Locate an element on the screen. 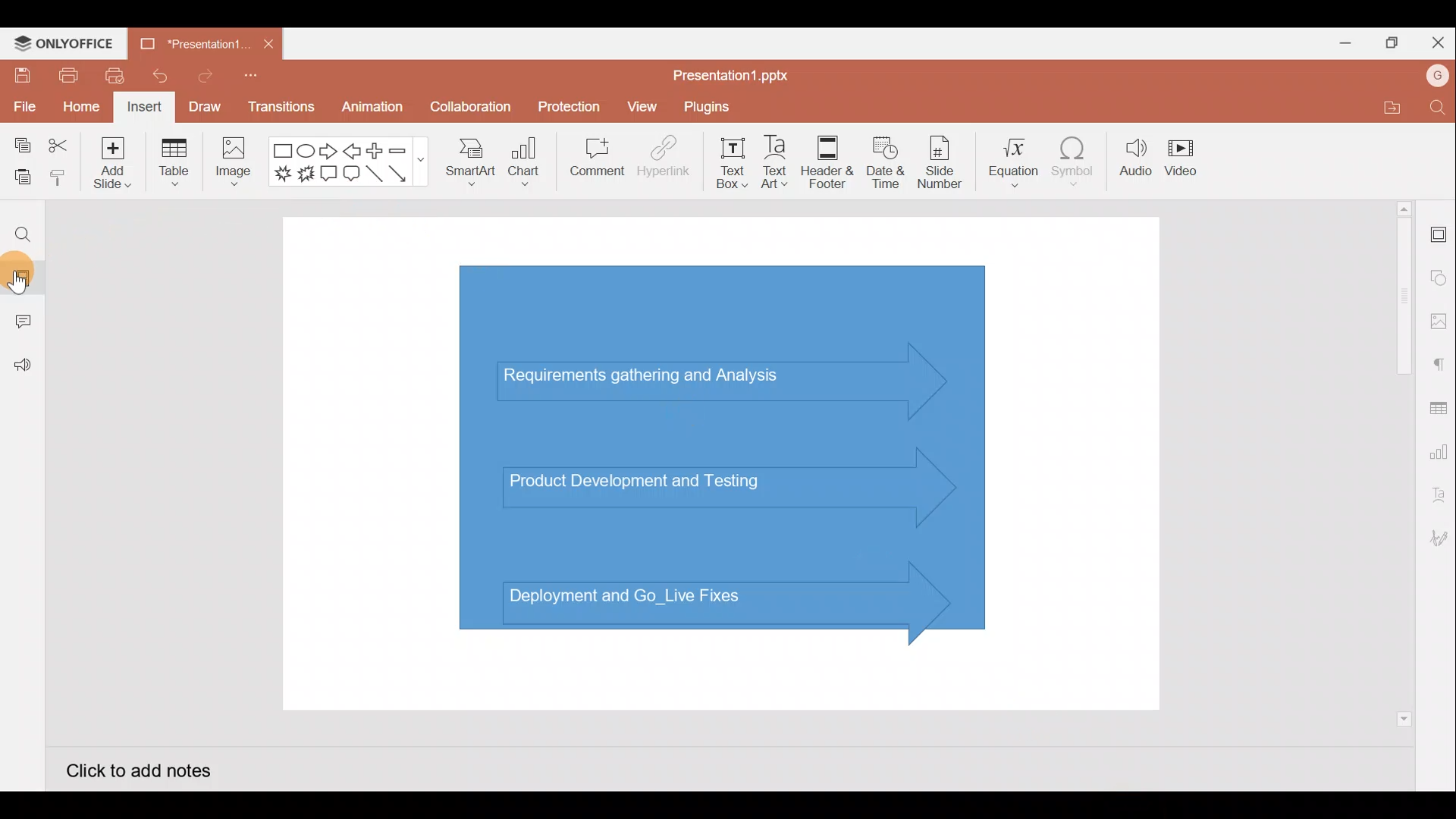  Explosion 2 is located at coordinates (305, 175).